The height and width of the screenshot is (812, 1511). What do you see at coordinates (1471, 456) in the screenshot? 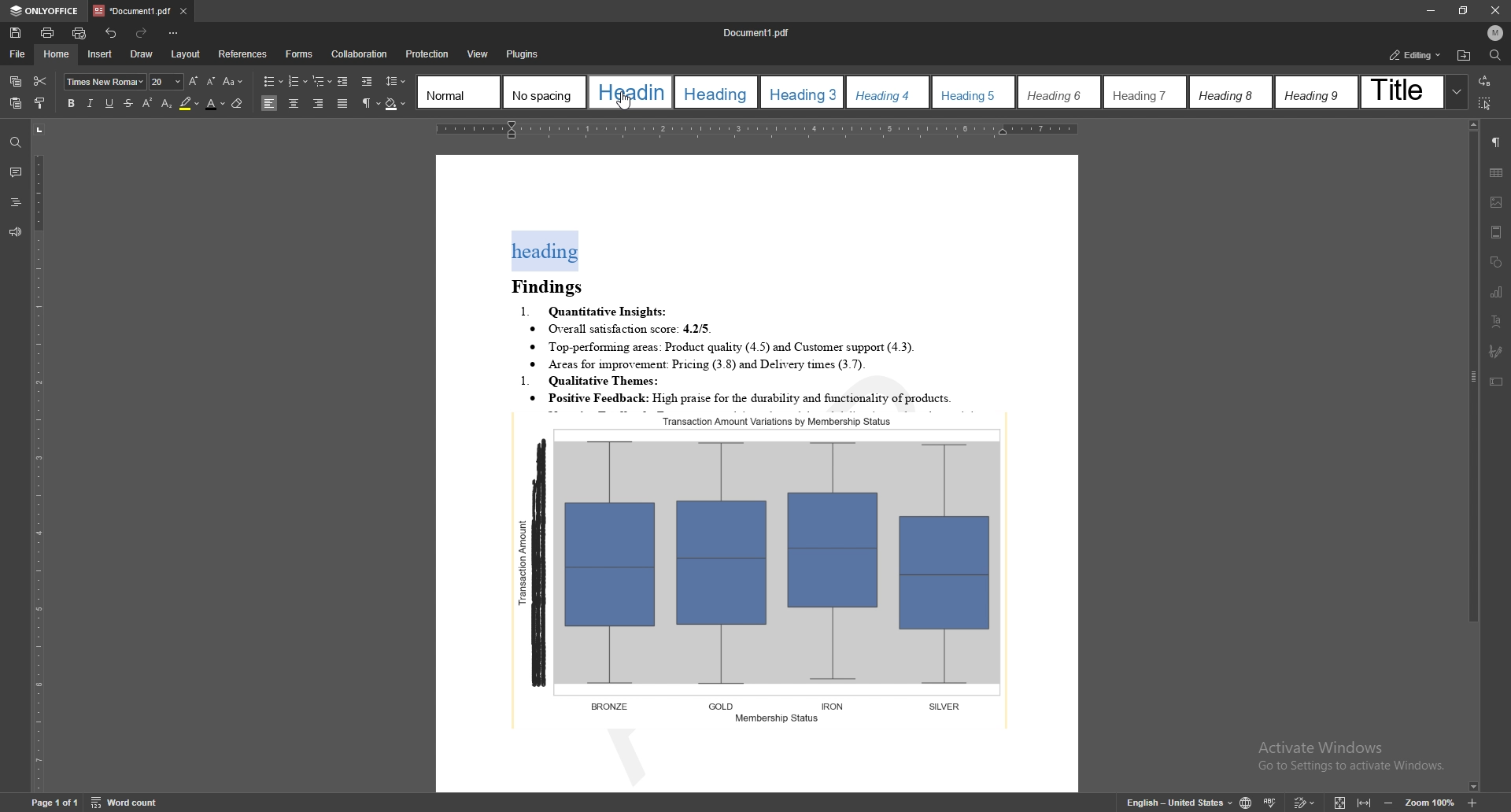
I see `scroll bar` at bounding box center [1471, 456].